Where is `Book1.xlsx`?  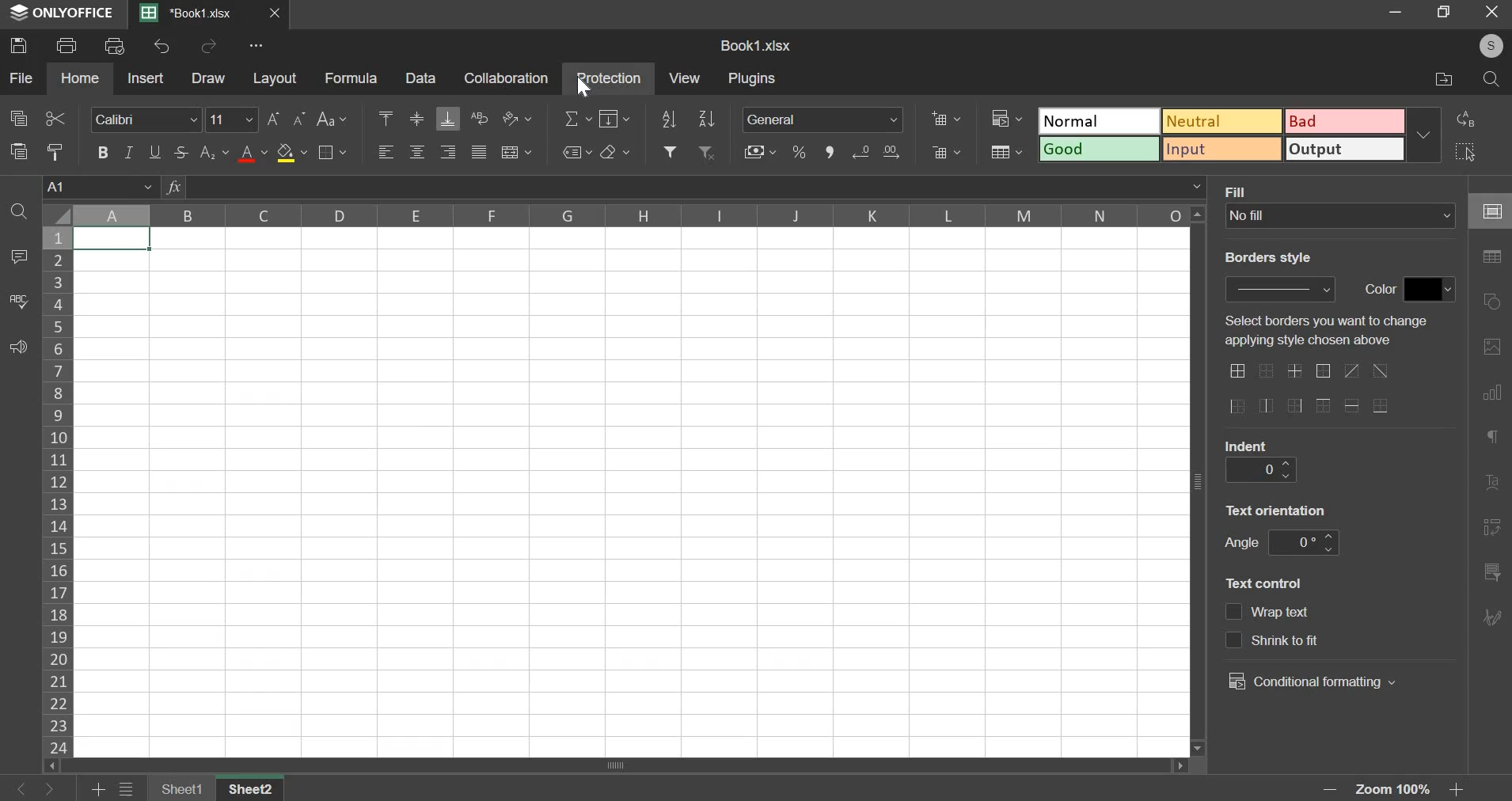 Book1.xlsx is located at coordinates (192, 14).